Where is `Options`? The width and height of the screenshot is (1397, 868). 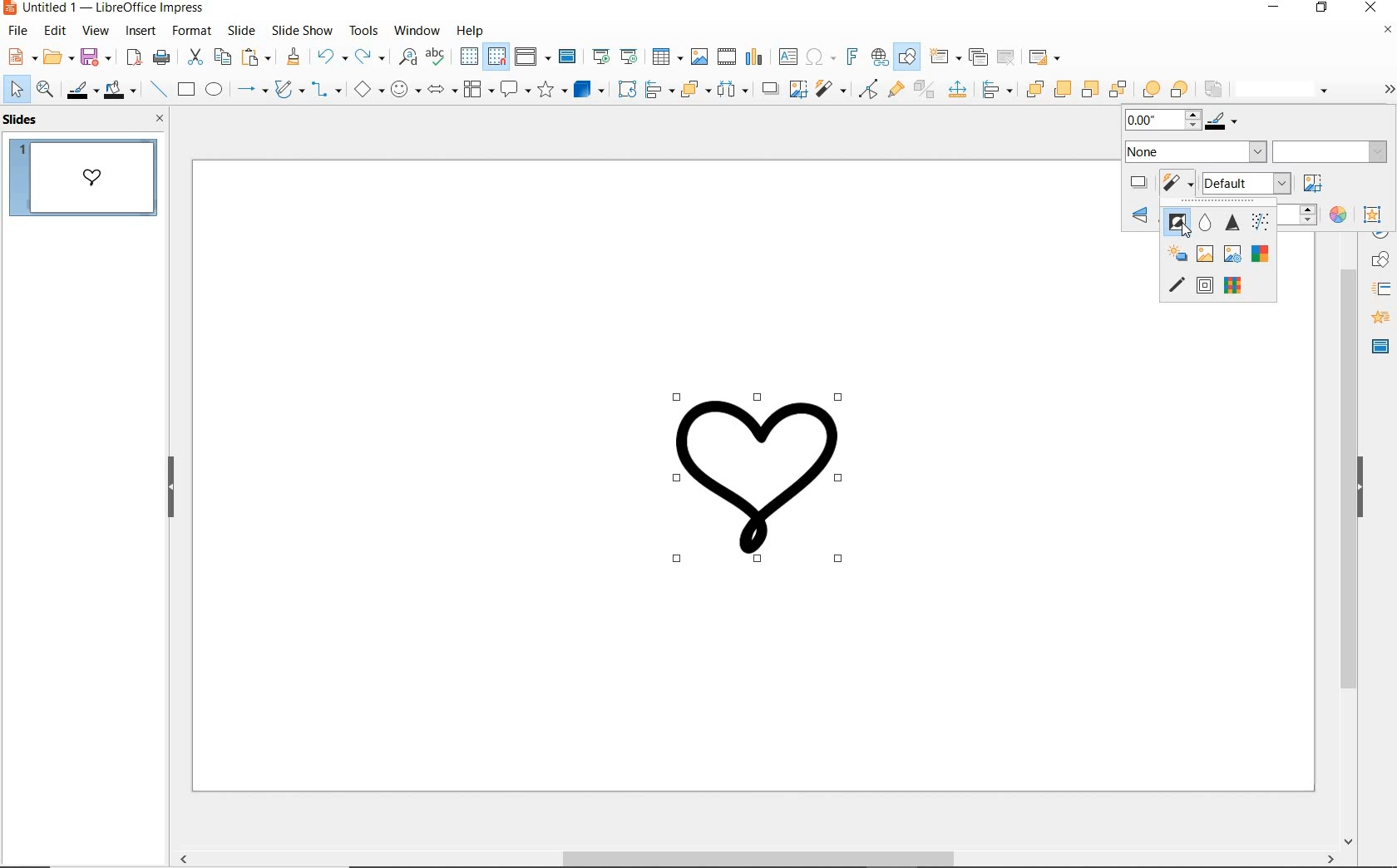
Options is located at coordinates (1389, 87).